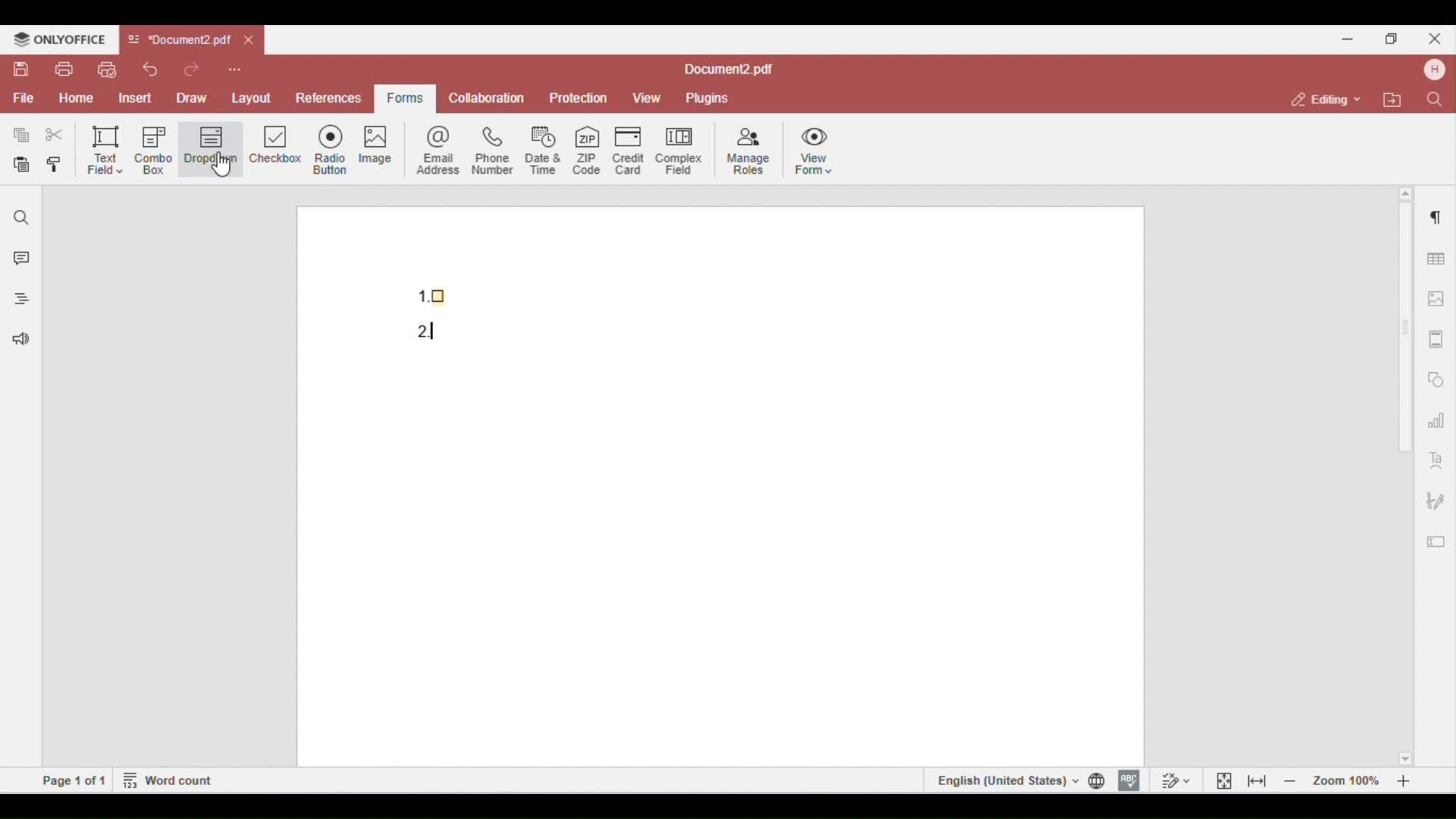  I want to click on text field, so click(105, 149).